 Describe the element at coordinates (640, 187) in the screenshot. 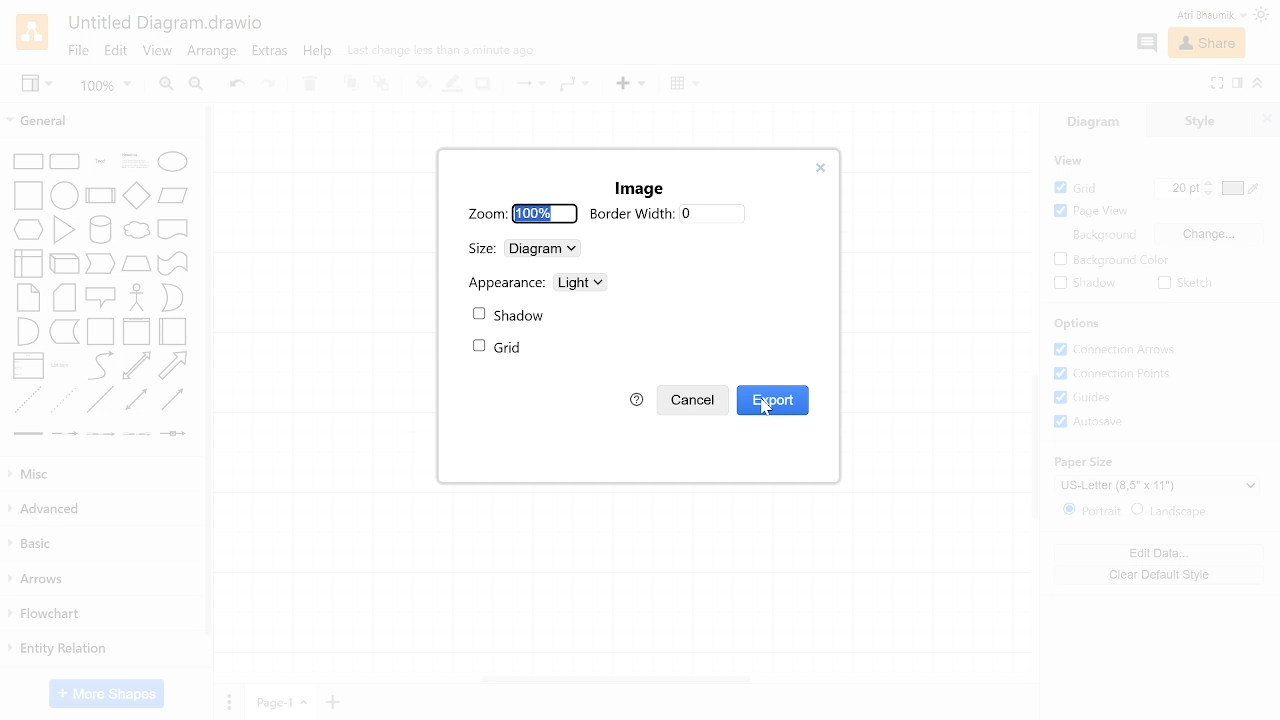

I see `Image` at that location.